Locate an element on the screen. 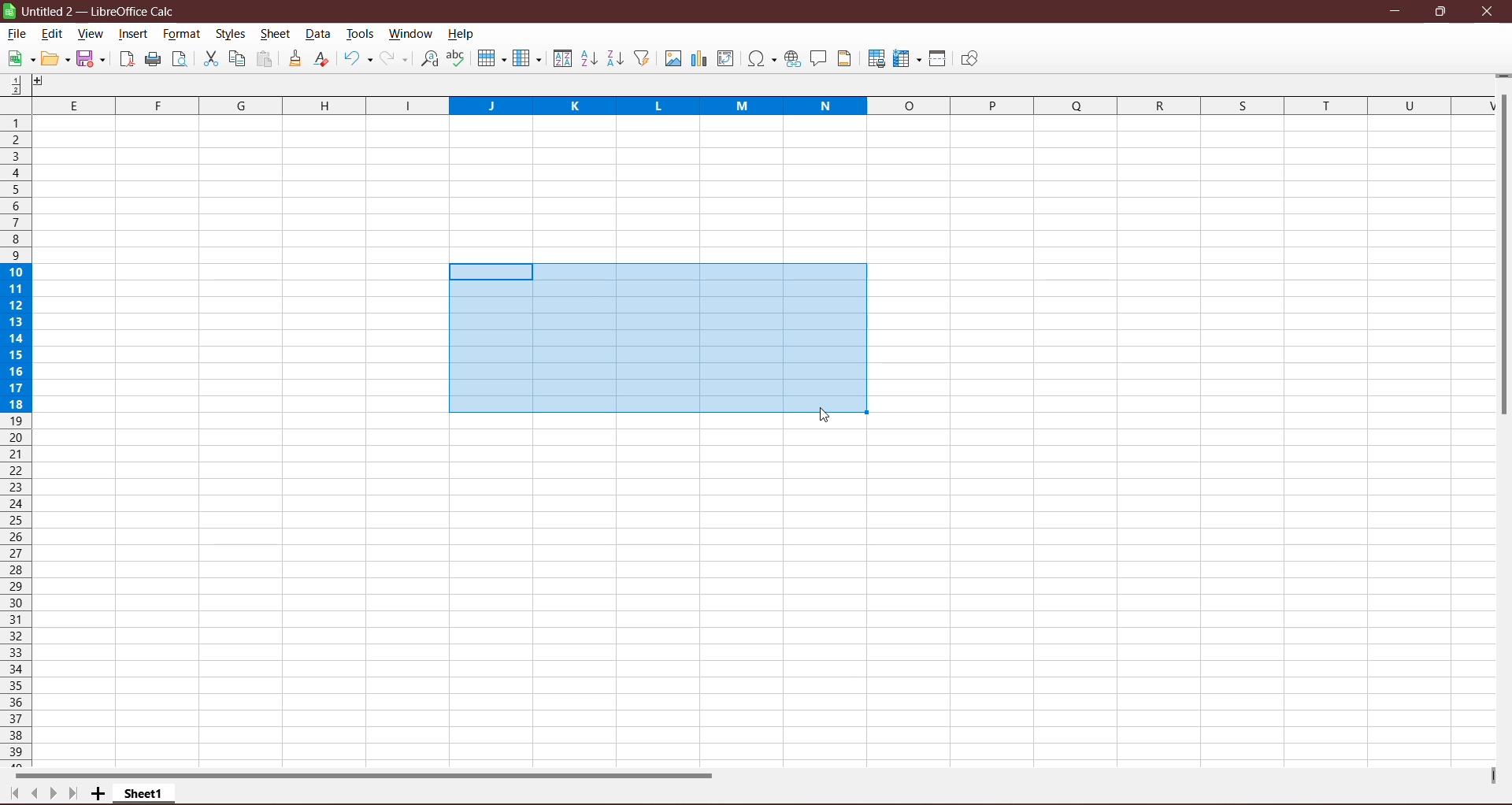 Image resolution: width=1512 pixels, height=805 pixels.  is located at coordinates (45, 83).